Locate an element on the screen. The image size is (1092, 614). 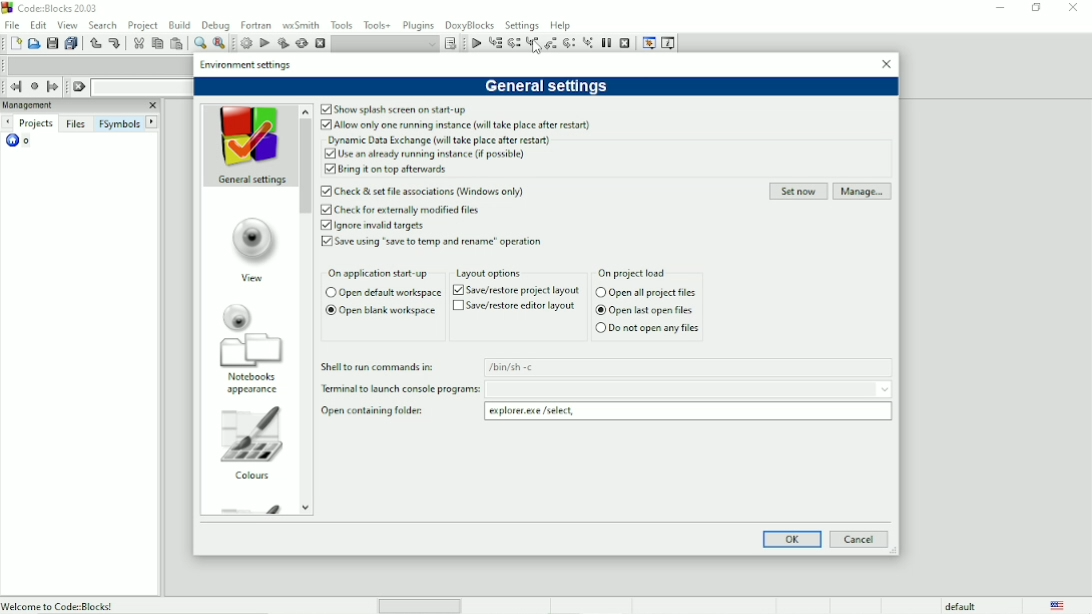
Jump back is located at coordinates (15, 87).